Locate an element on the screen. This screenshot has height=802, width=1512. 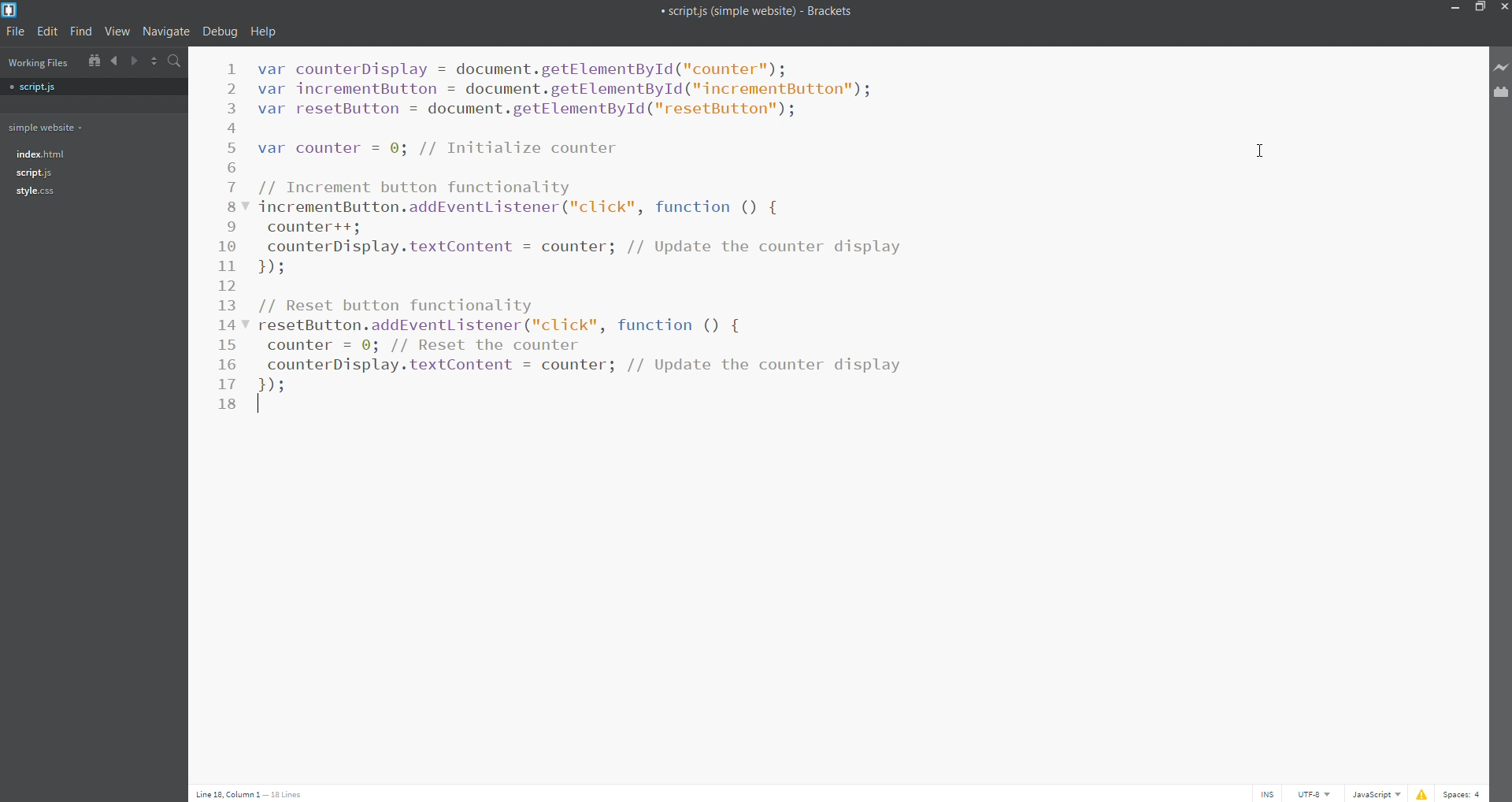
encoding is located at coordinates (1313, 795).